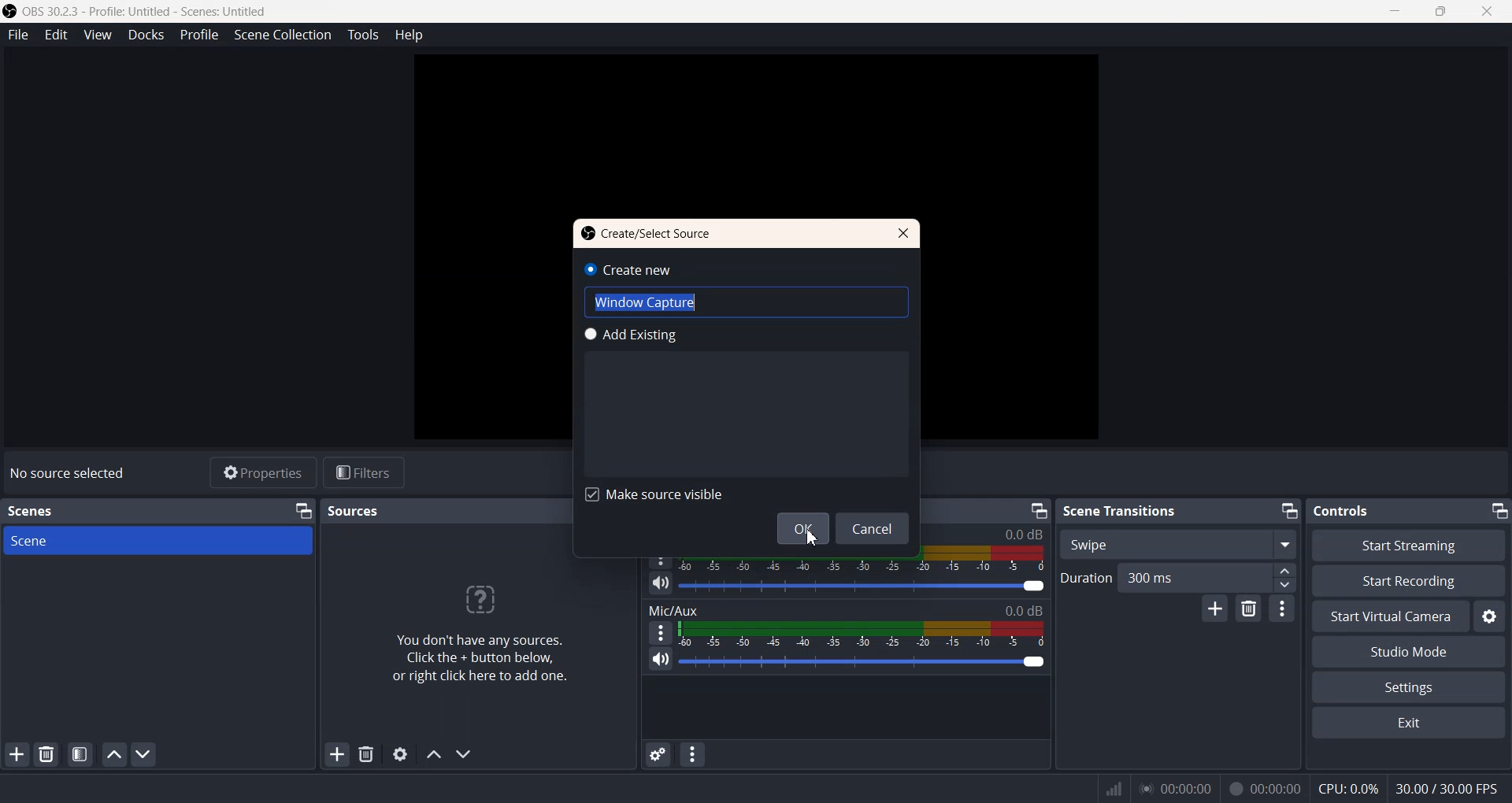 The image size is (1512, 803). Describe the element at coordinates (368, 753) in the screenshot. I see `Remove selected Sources` at that location.